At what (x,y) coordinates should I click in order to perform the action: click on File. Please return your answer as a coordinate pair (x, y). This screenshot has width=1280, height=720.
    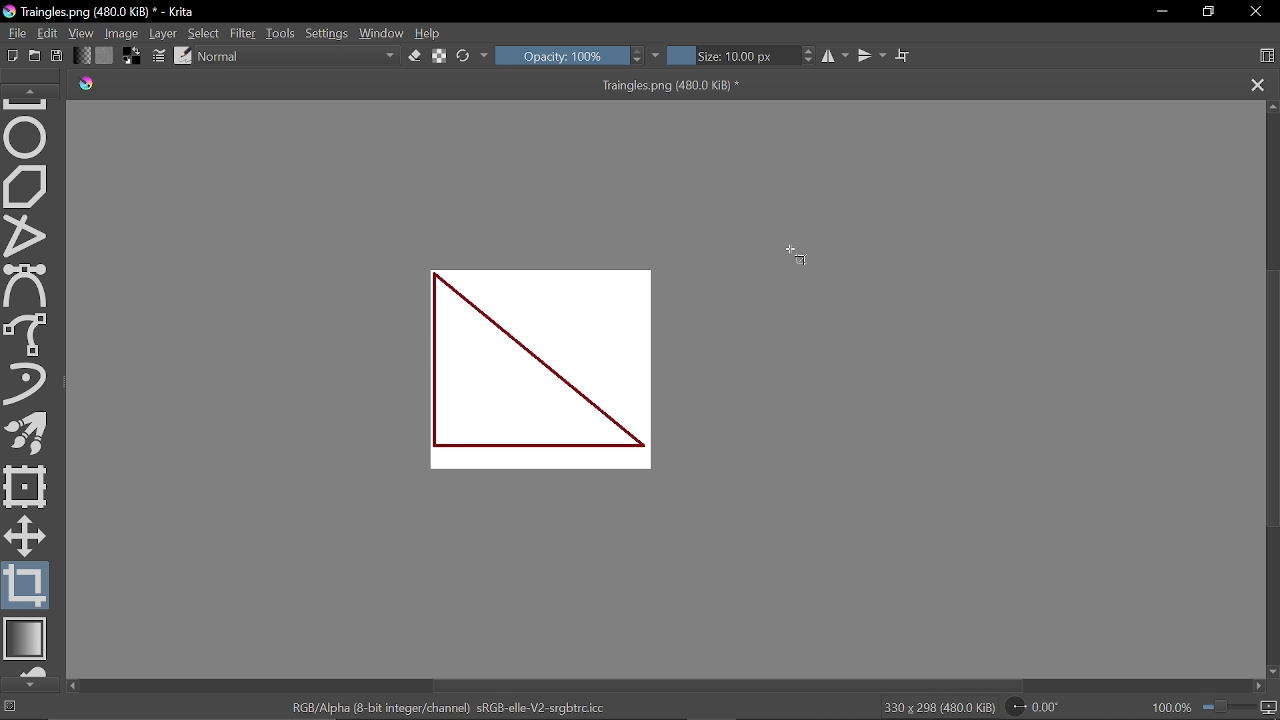
    Looking at the image, I should click on (14, 32).